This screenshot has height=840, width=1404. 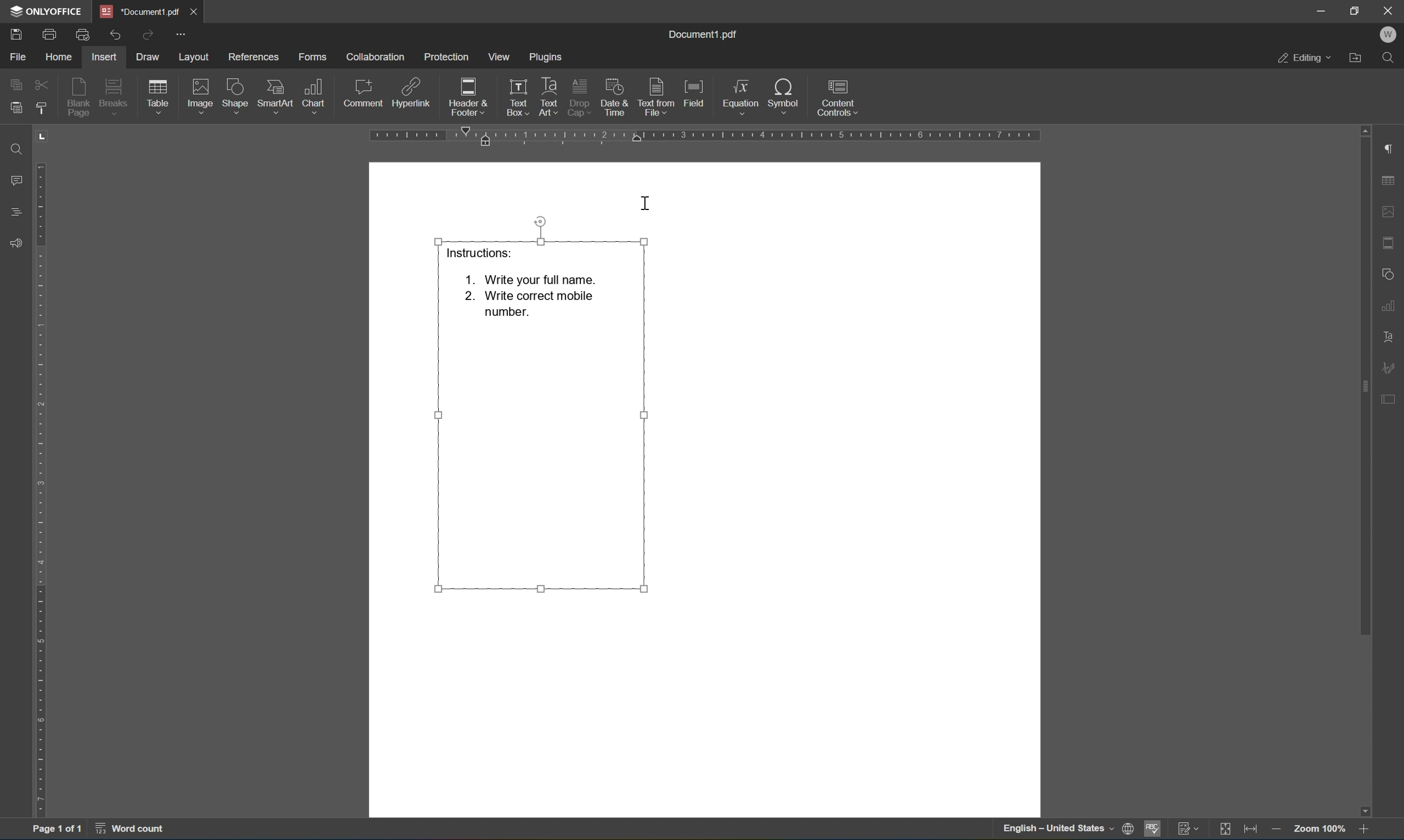 What do you see at coordinates (1189, 830) in the screenshot?
I see `track changes` at bounding box center [1189, 830].